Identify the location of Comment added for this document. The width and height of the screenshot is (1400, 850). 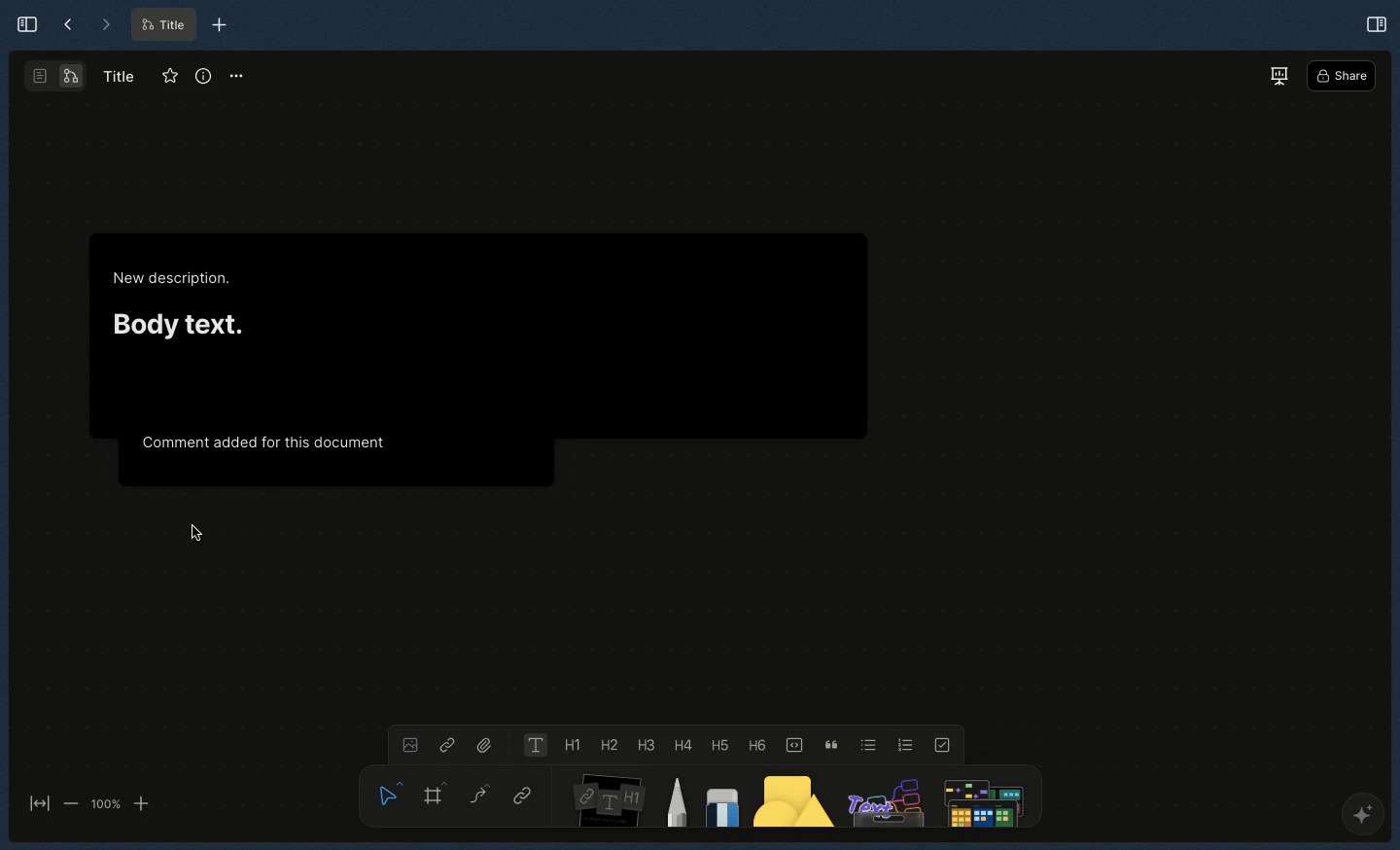
(263, 441).